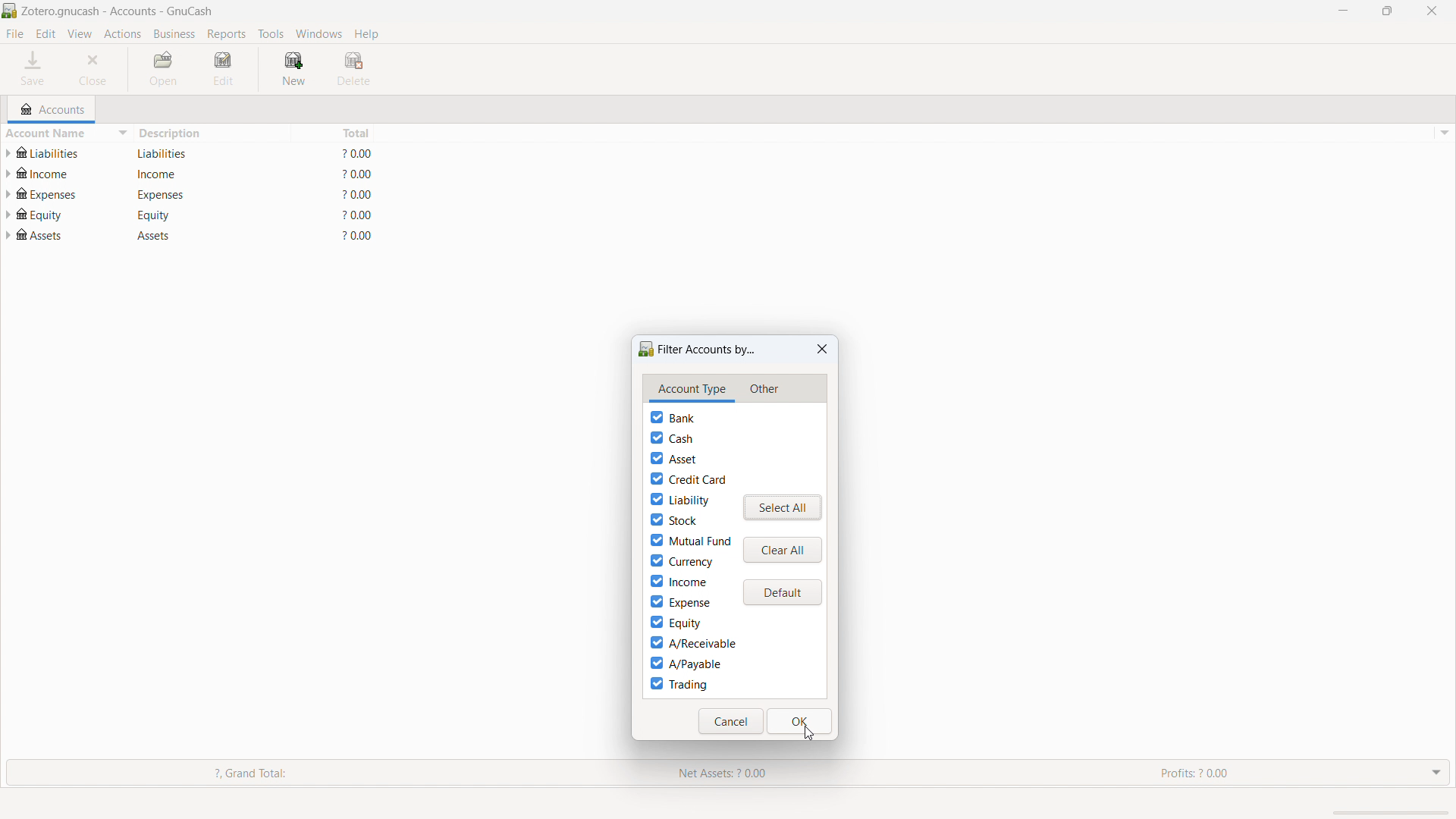 The image size is (1456, 819). Describe the element at coordinates (354, 67) in the screenshot. I see `delete` at that location.